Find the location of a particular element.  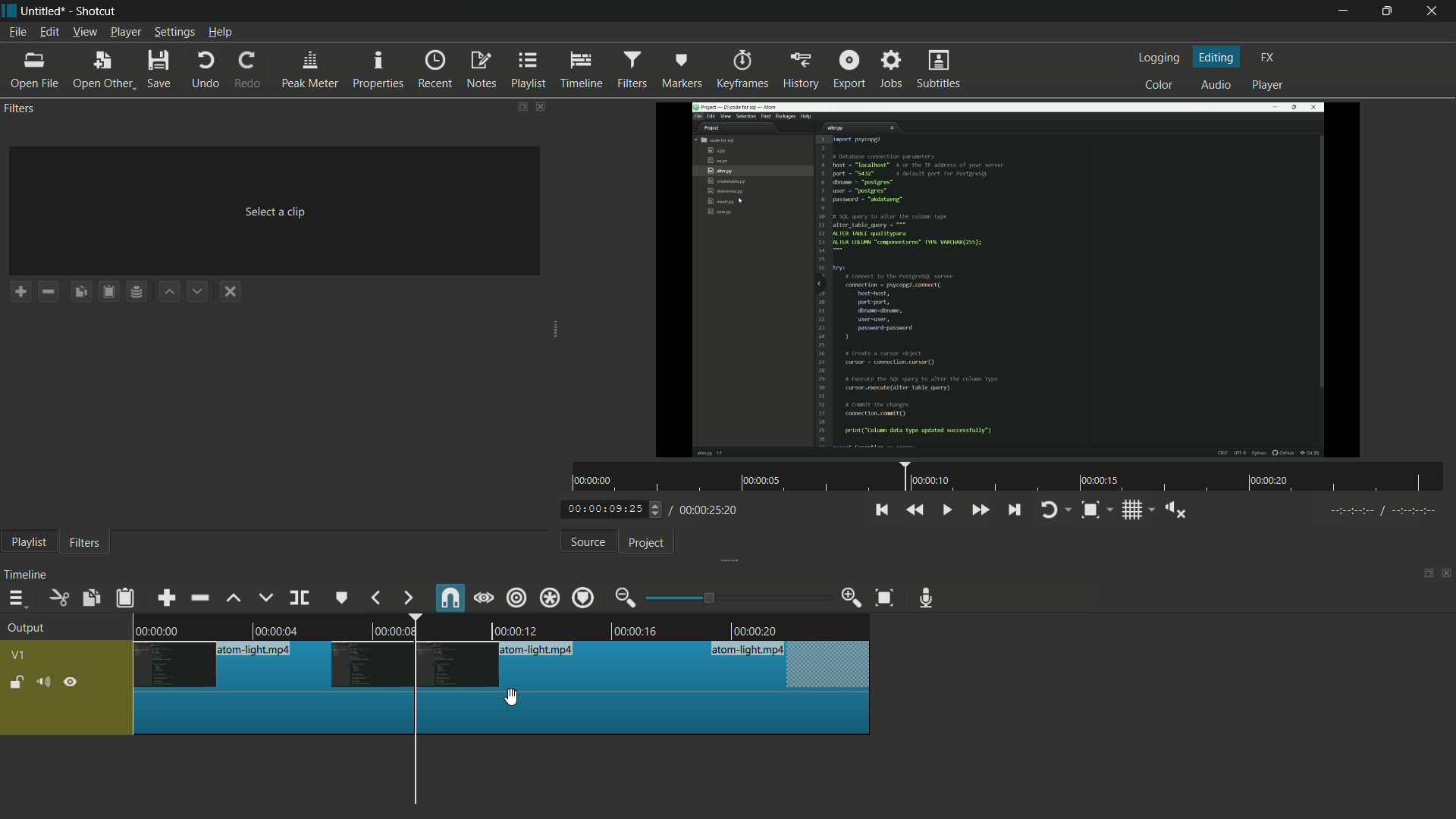

filters is located at coordinates (85, 544).